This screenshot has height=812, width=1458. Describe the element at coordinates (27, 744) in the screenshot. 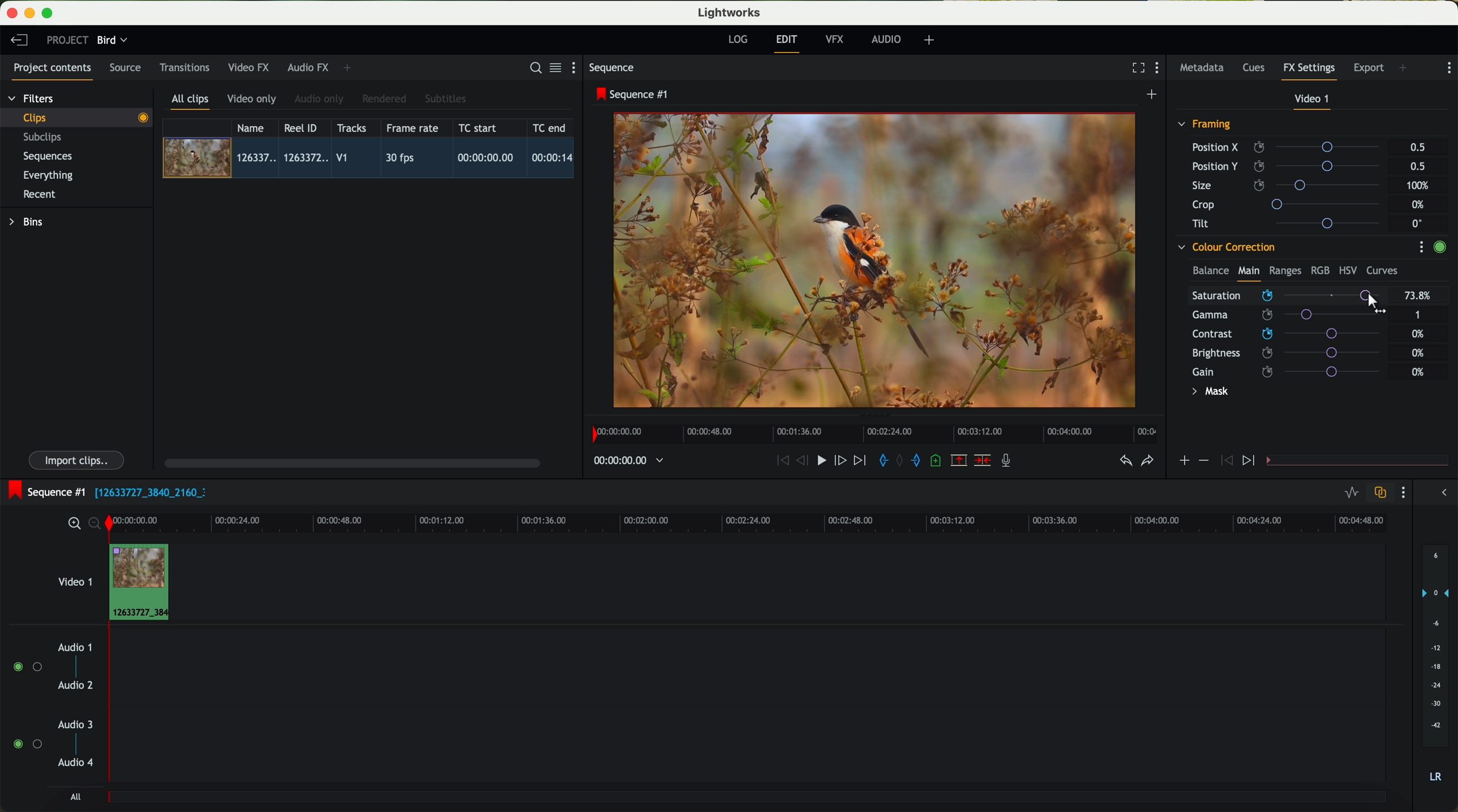

I see `enable audio` at that location.